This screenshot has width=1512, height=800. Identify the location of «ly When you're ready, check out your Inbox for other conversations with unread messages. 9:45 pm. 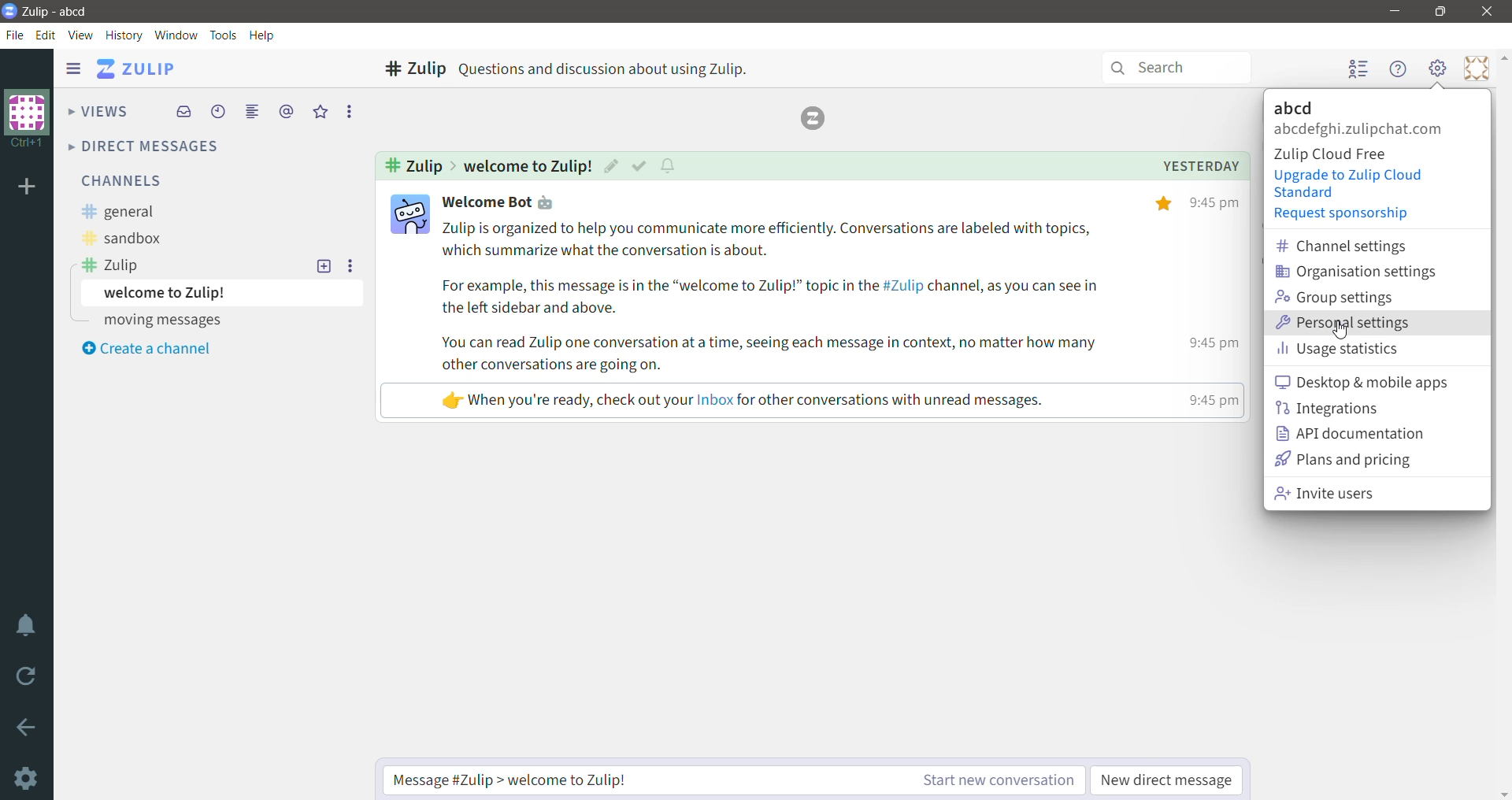
(718, 402).